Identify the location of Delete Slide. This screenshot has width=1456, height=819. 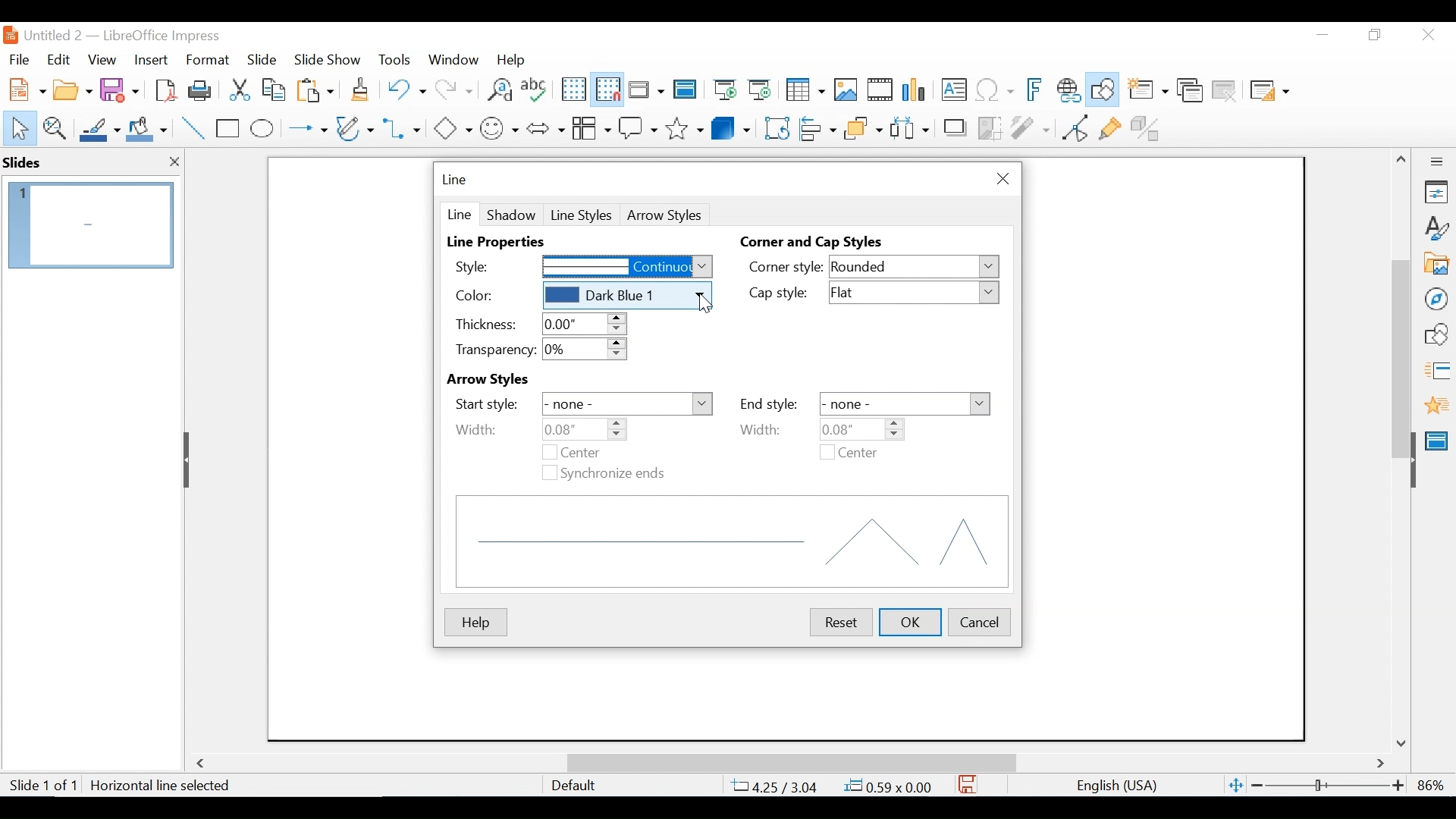
(1223, 91).